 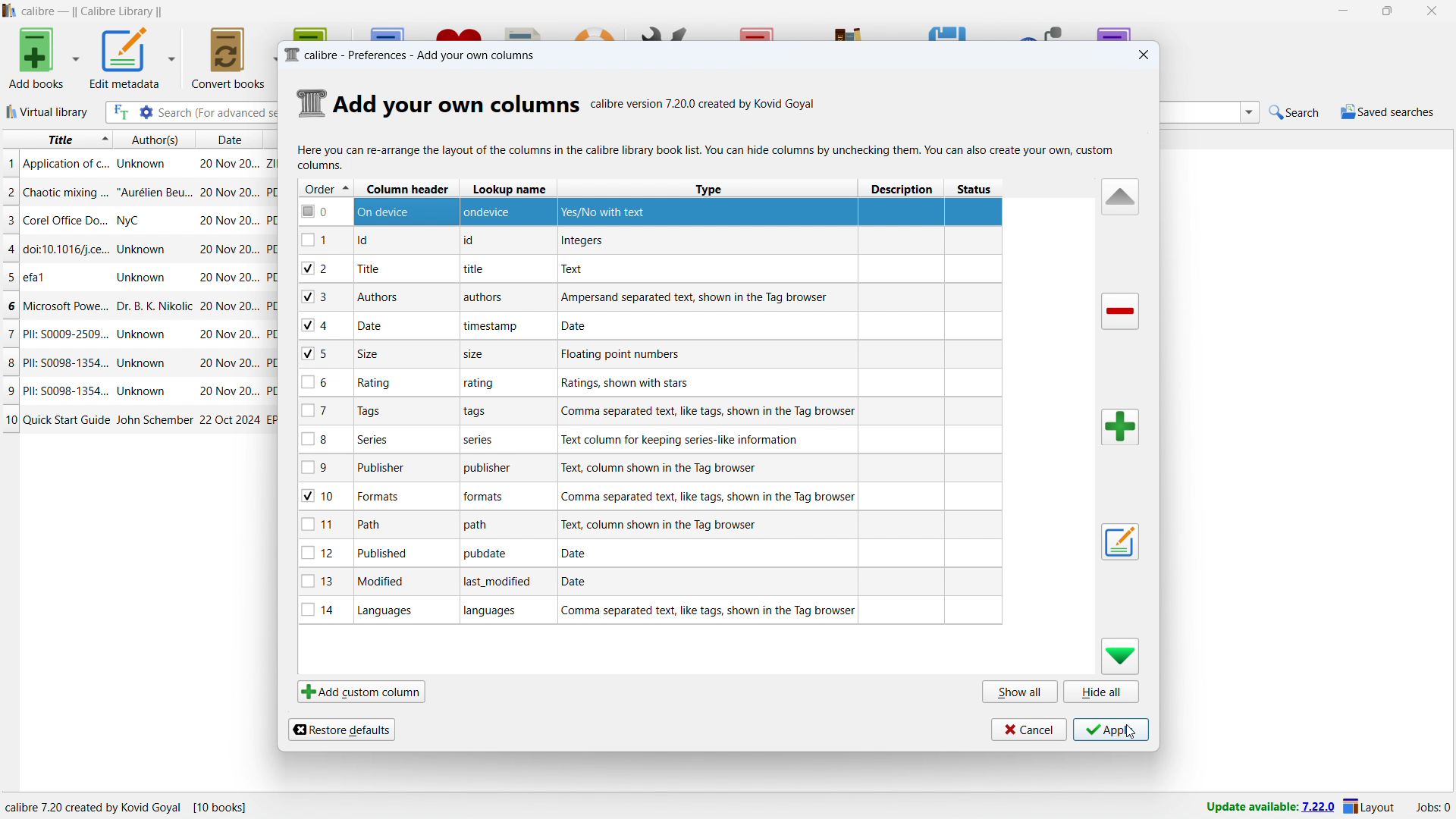 I want to click on icon, so click(x=312, y=102).